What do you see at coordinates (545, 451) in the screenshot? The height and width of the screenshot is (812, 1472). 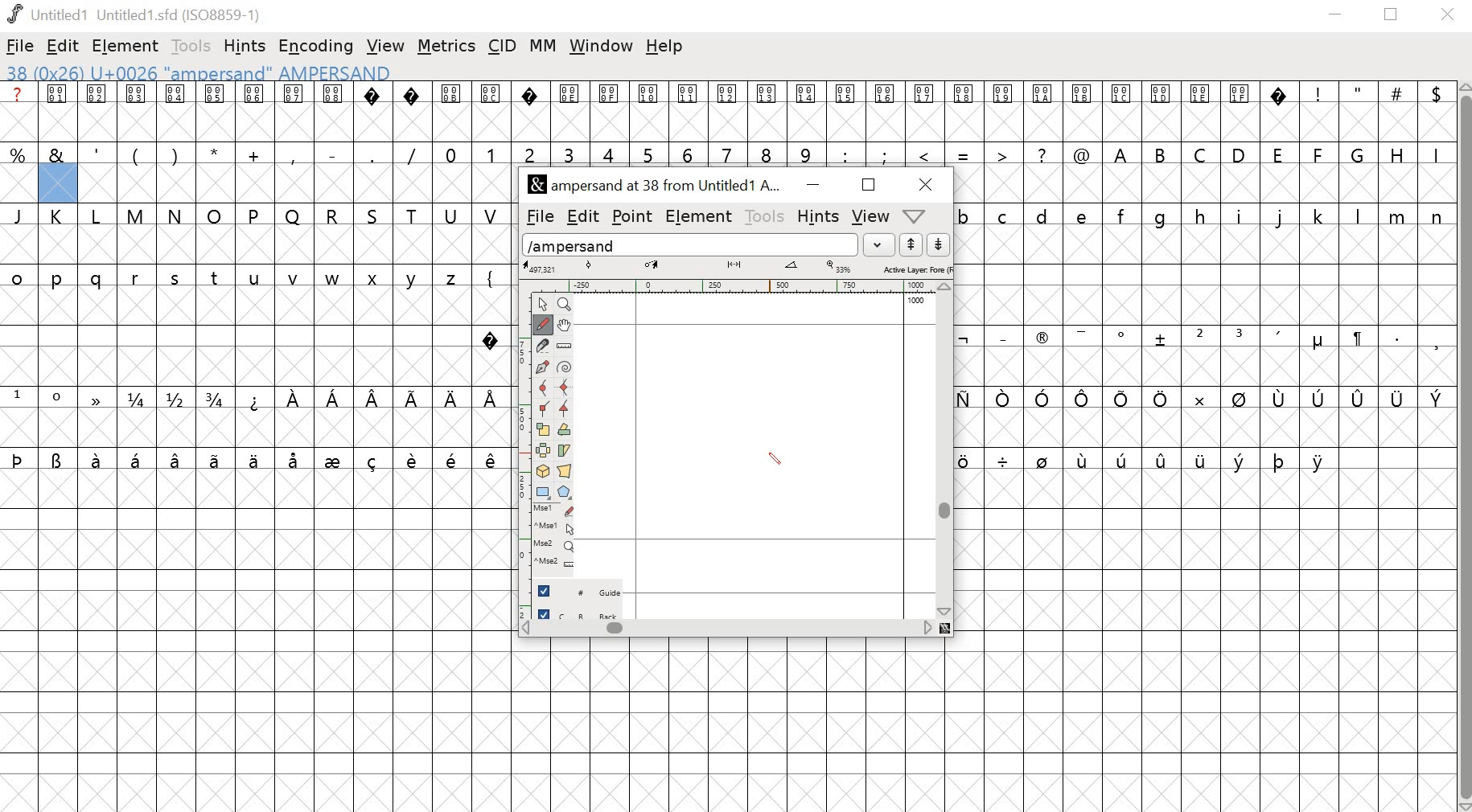 I see `flip the selection` at bounding box center [545, 451].